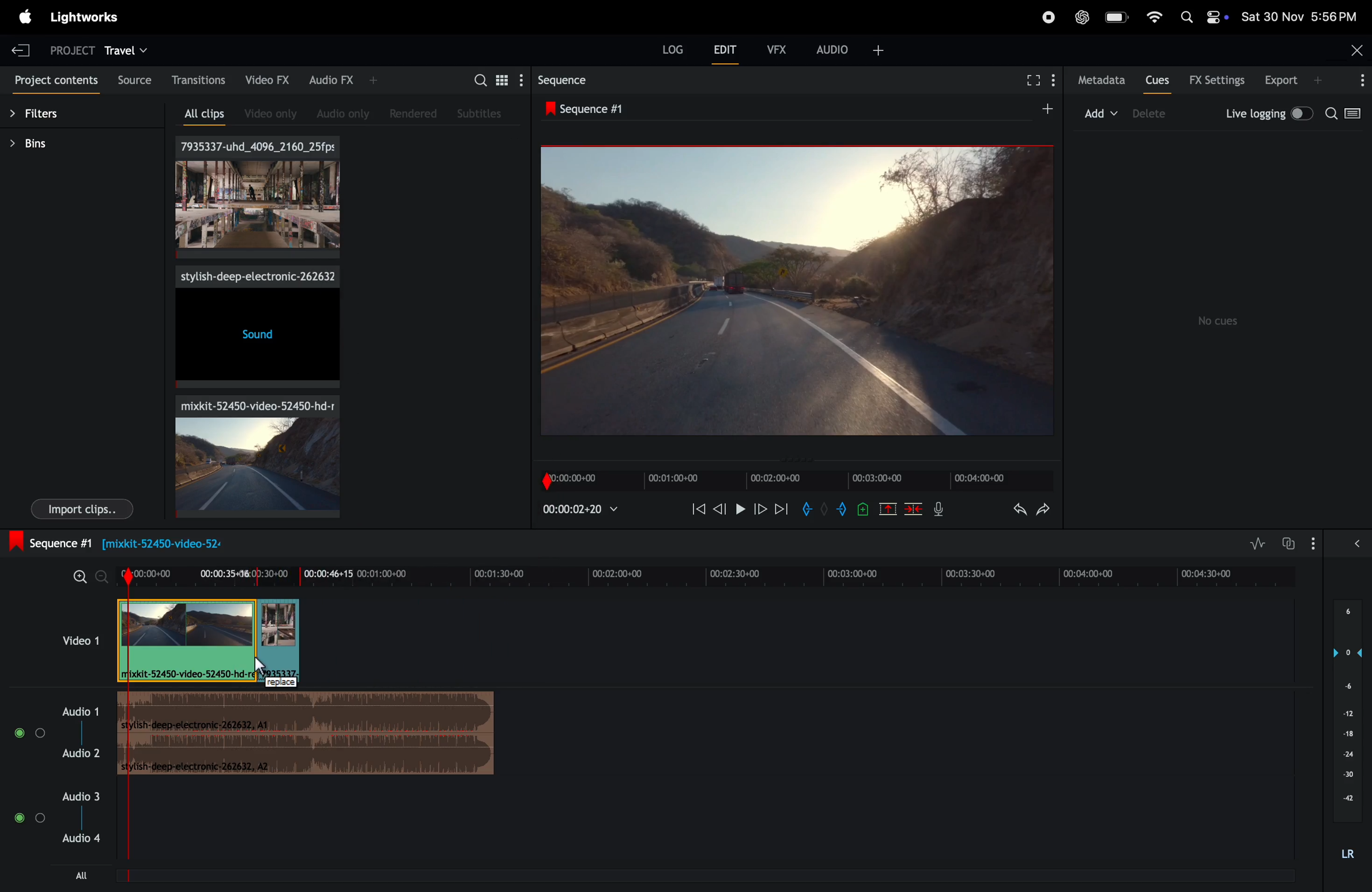 The width and height of the screenshot is (1372, 892). Describe the element at coordinates (915, 509) in the screenshot. I see `delete` at that location.